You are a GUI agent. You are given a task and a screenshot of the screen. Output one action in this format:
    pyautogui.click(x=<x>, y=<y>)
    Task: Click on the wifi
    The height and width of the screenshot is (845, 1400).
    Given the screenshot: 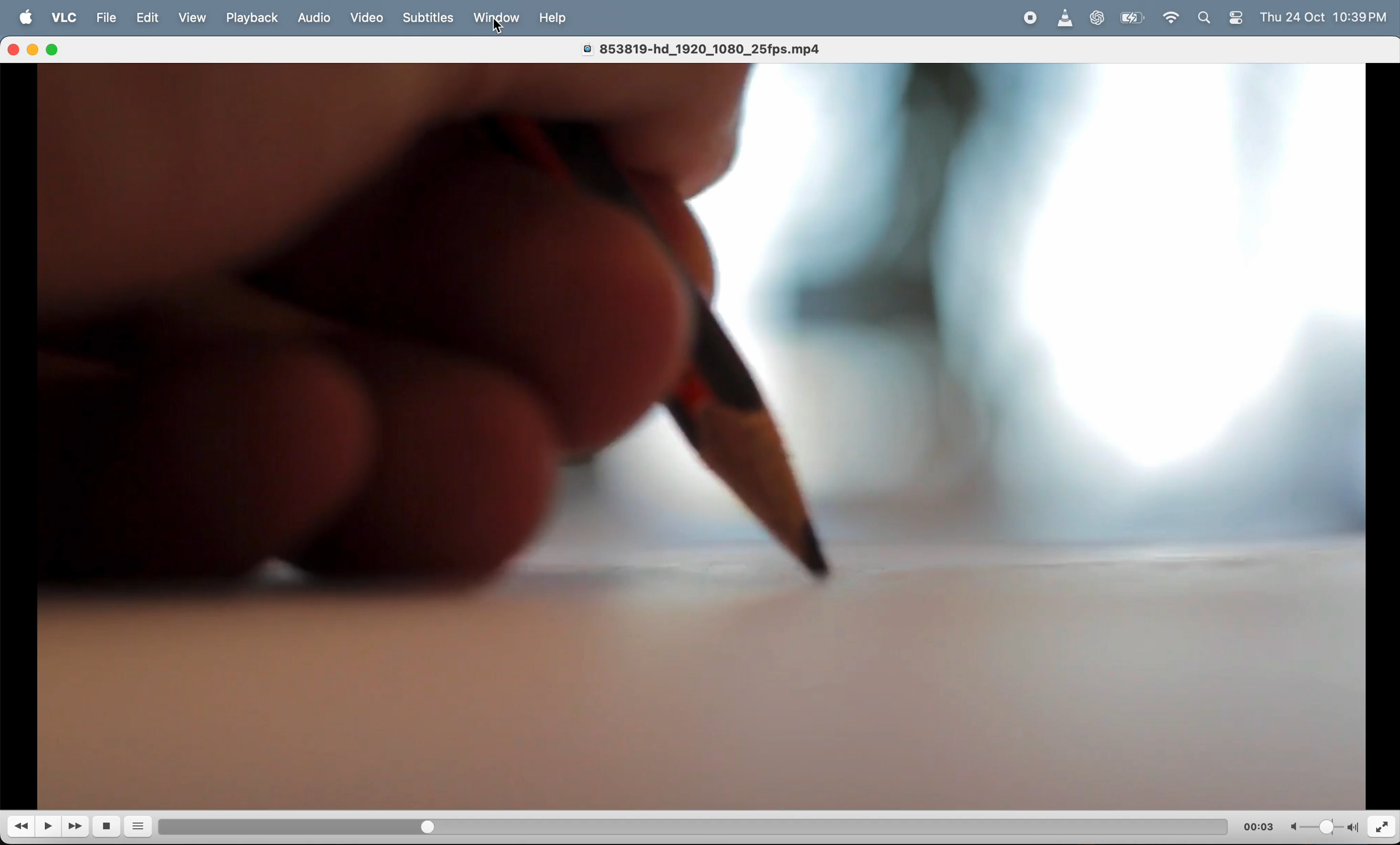 What is the action you would take?
    pyautogui.click(x=1173, y=20)
    